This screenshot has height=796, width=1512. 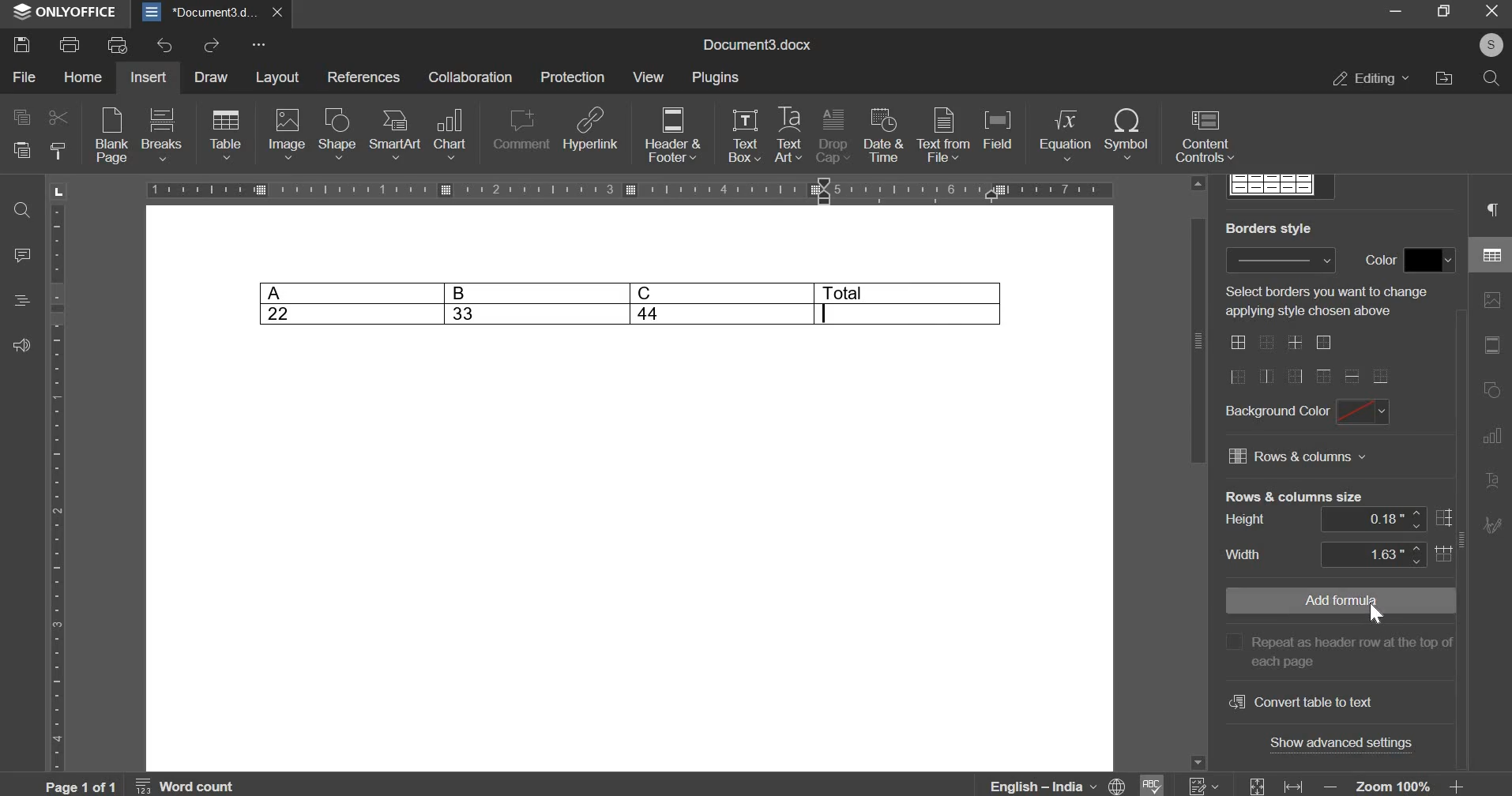 I want to click on image, so click(x=287, y=134).